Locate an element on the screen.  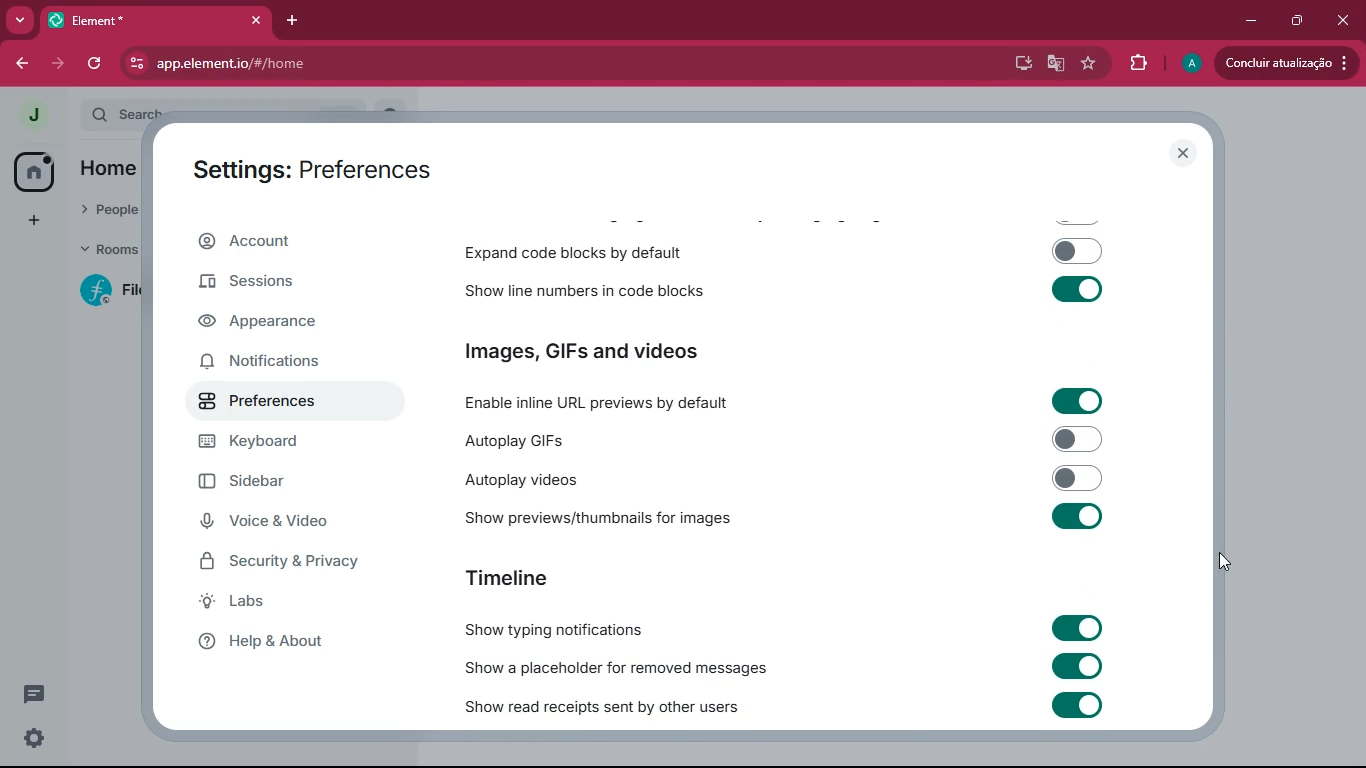
toggle on/off is located at coordinates (1076, 705).